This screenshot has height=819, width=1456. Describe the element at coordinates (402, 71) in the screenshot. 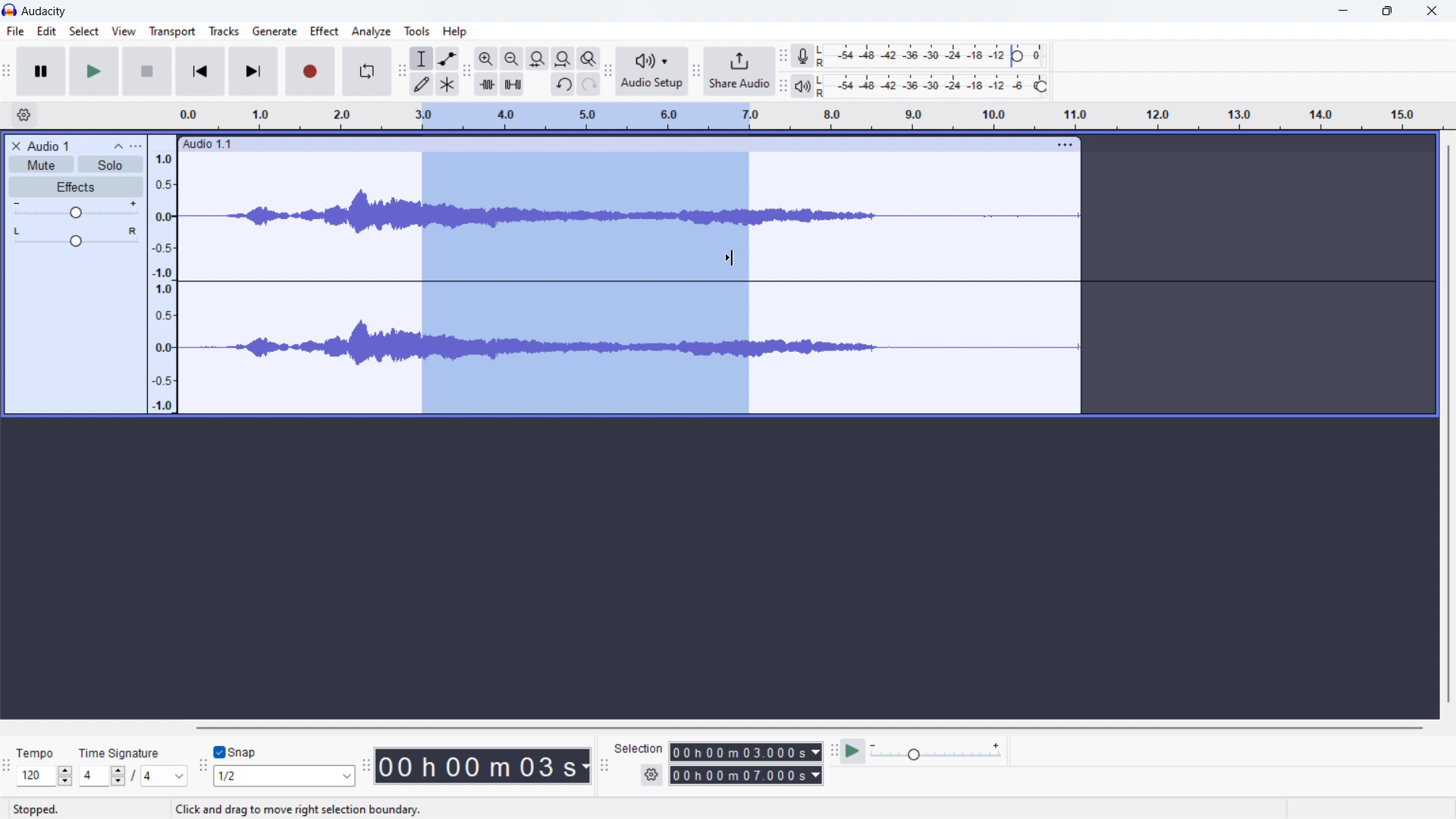

I see `tools toolbar` at that location.